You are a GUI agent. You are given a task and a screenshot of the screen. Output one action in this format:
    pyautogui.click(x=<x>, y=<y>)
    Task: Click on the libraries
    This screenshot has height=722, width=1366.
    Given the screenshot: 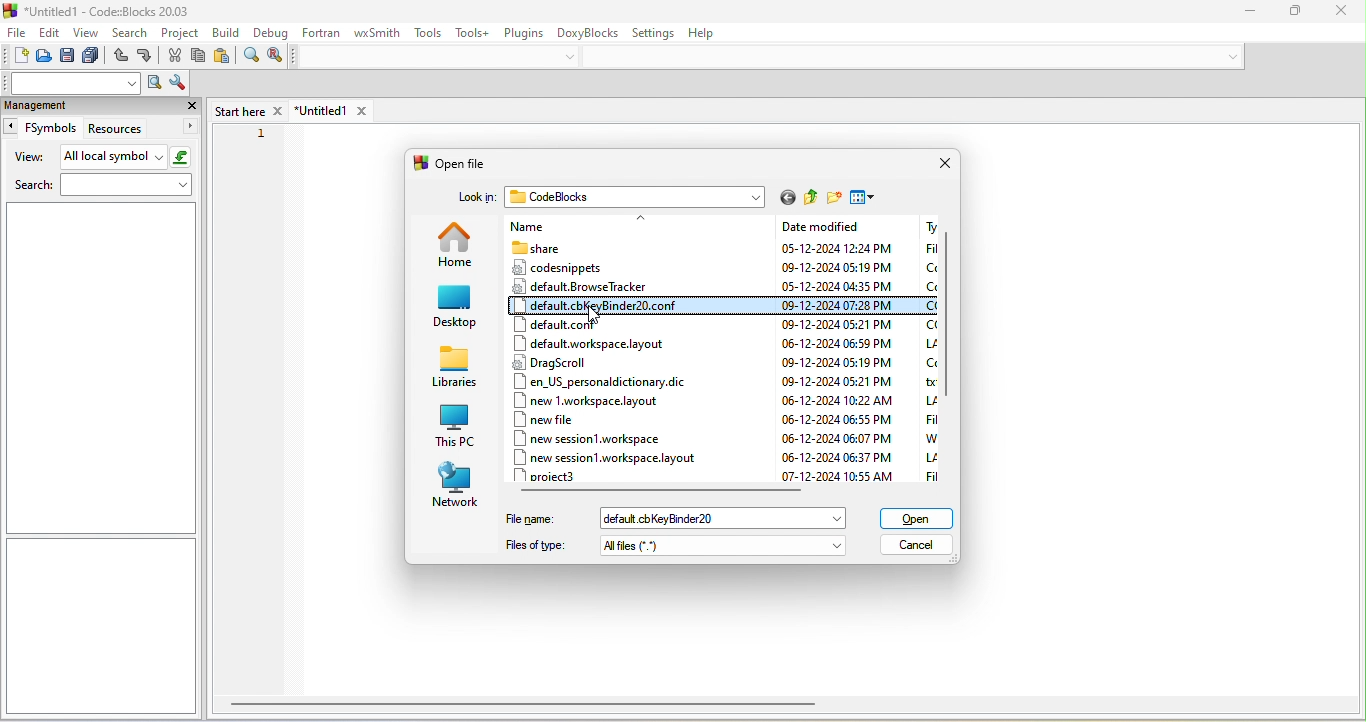 What is the action you would take?
    pyautogui.click(x=453, y=372)
    